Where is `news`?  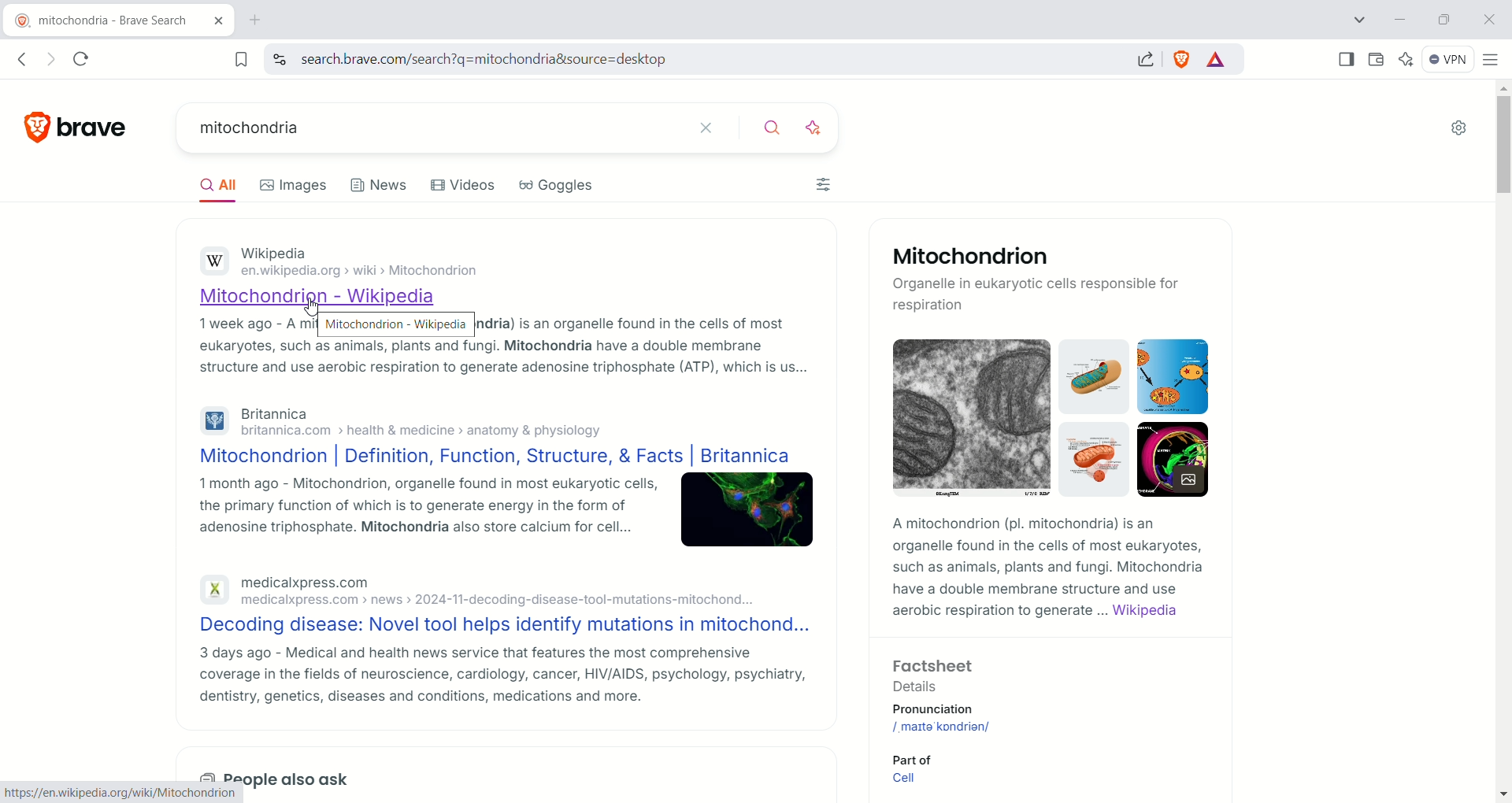 news is located at coordinates (379, 186).